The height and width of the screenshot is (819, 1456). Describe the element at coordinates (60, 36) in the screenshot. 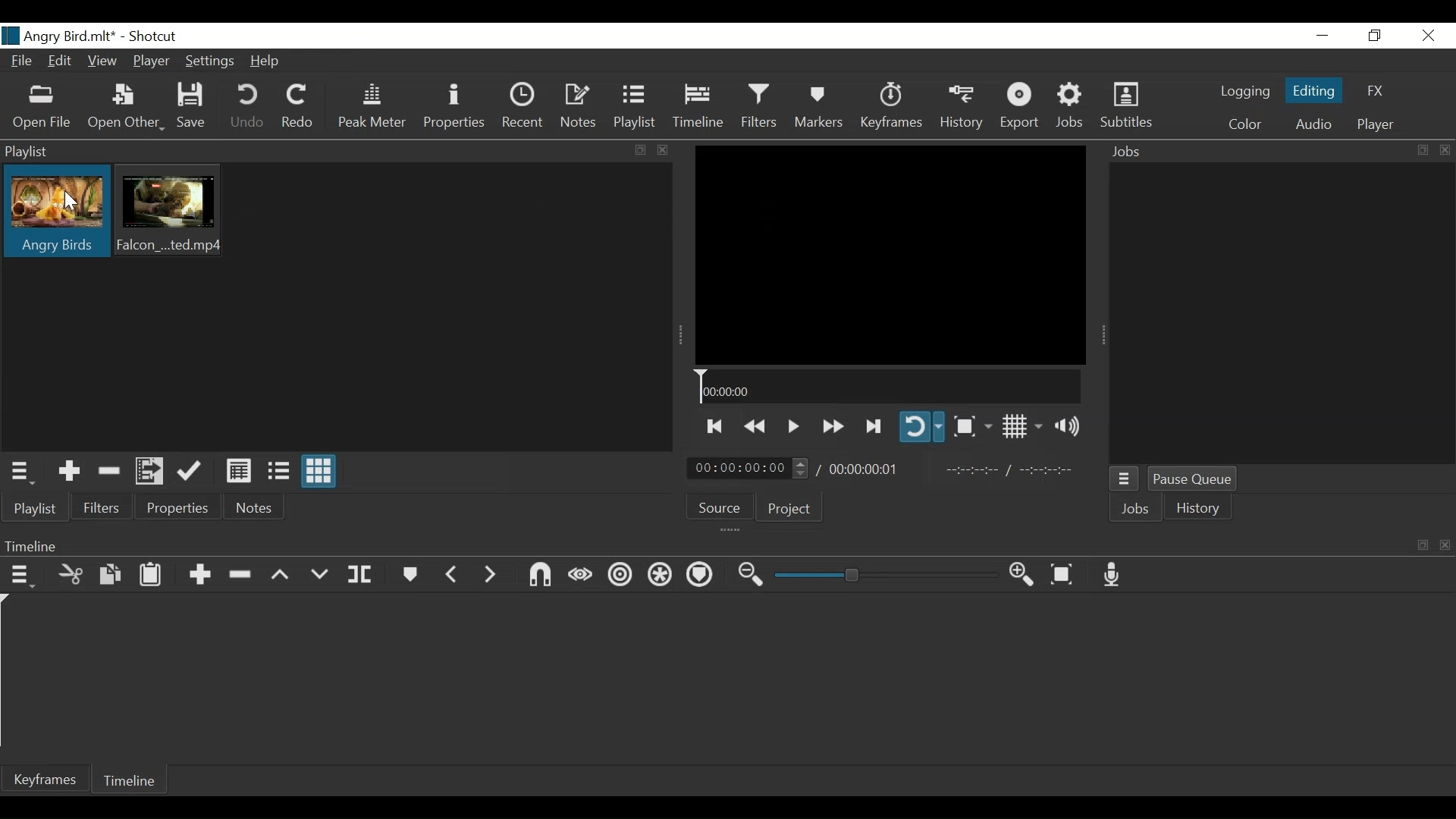

I see `File Name` at that location.